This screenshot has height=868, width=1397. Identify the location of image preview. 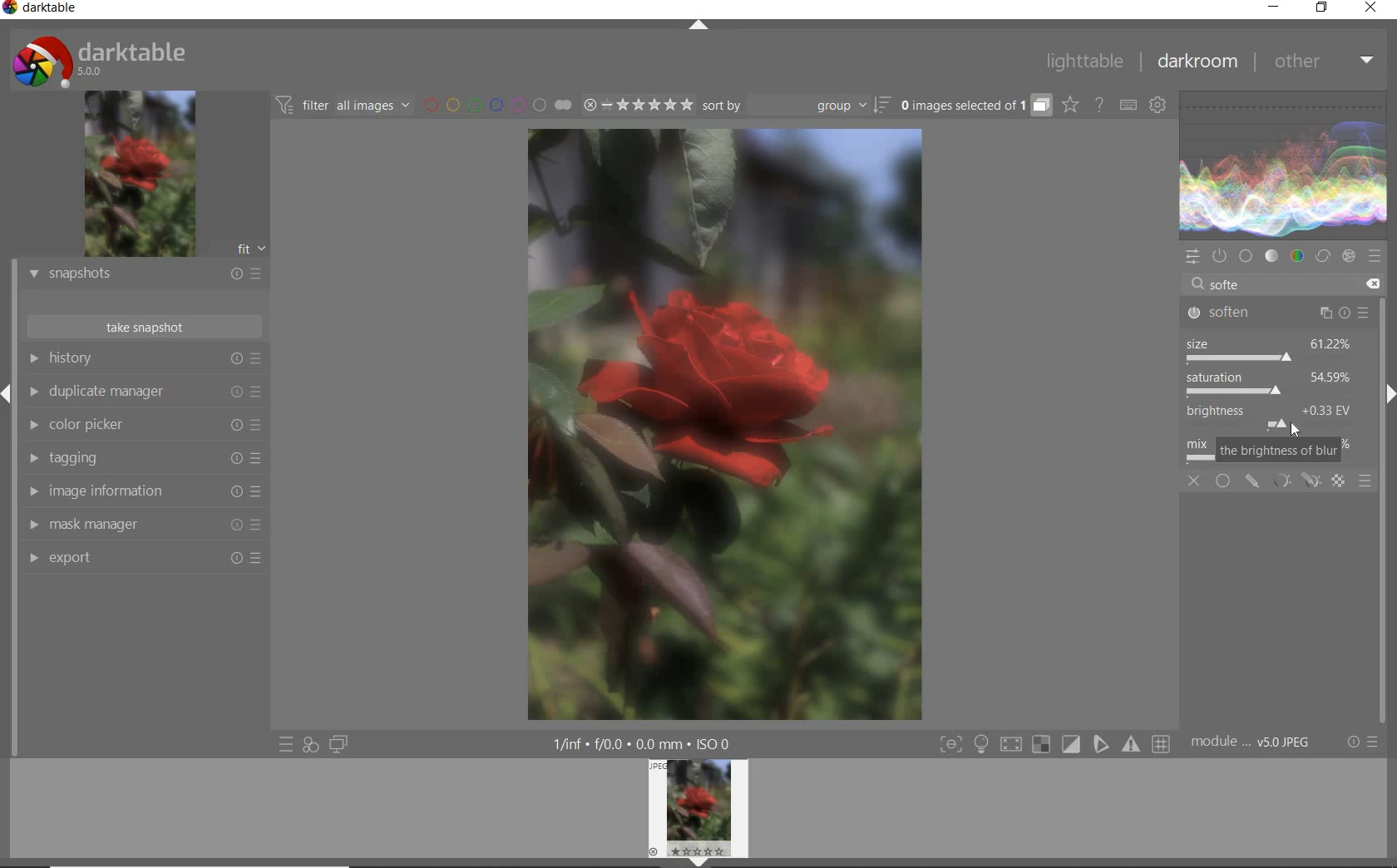
(139, 175).